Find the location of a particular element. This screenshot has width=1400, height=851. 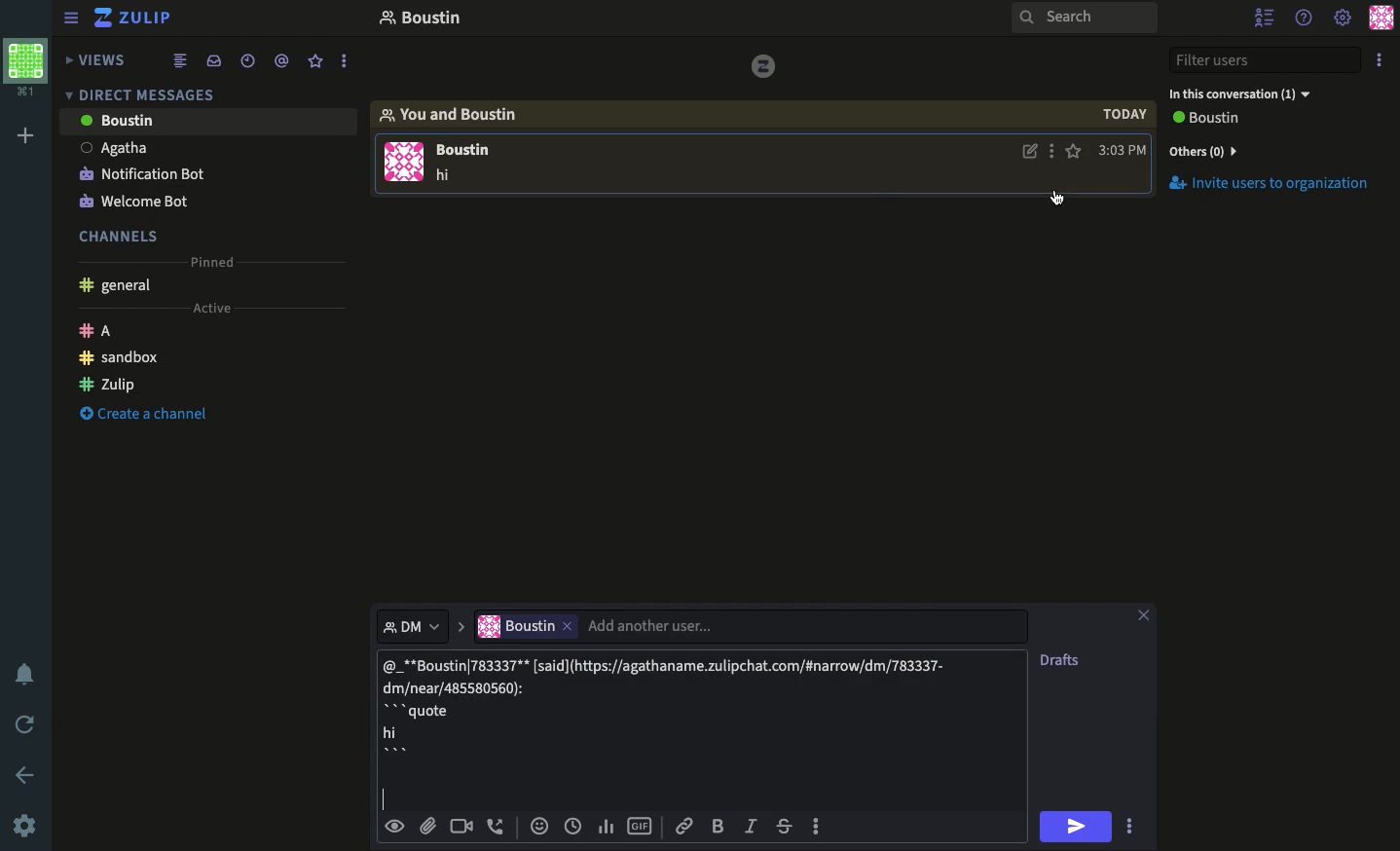

Refresh is located at coordinates (27, 726).